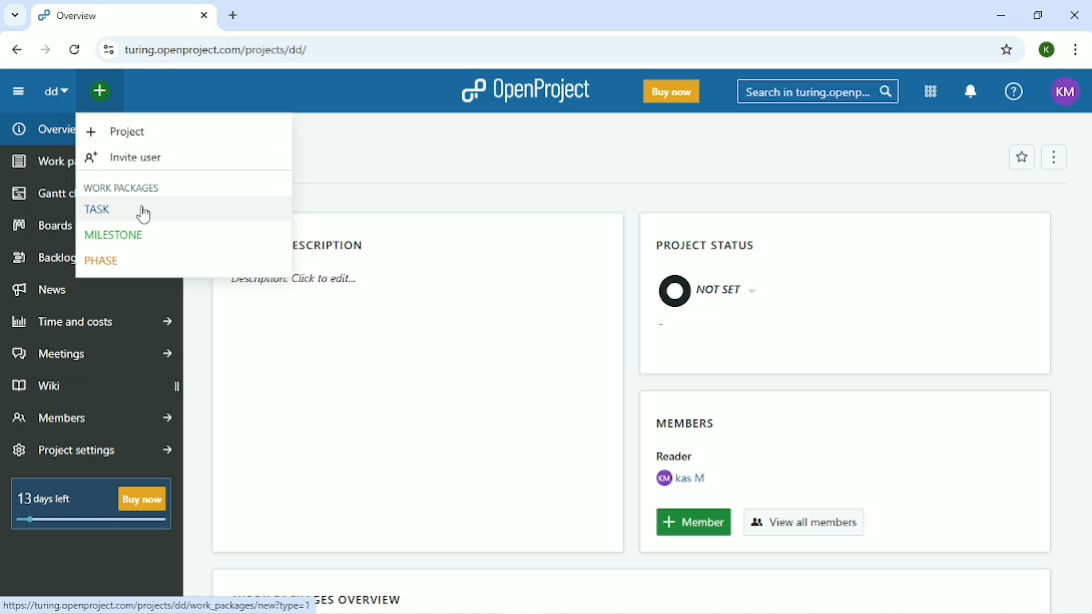 The width and height of the screenshot is (1092, 614). Describe the element at coordinates (971, 92) in the screenshot. I see `To notification center` at that location.